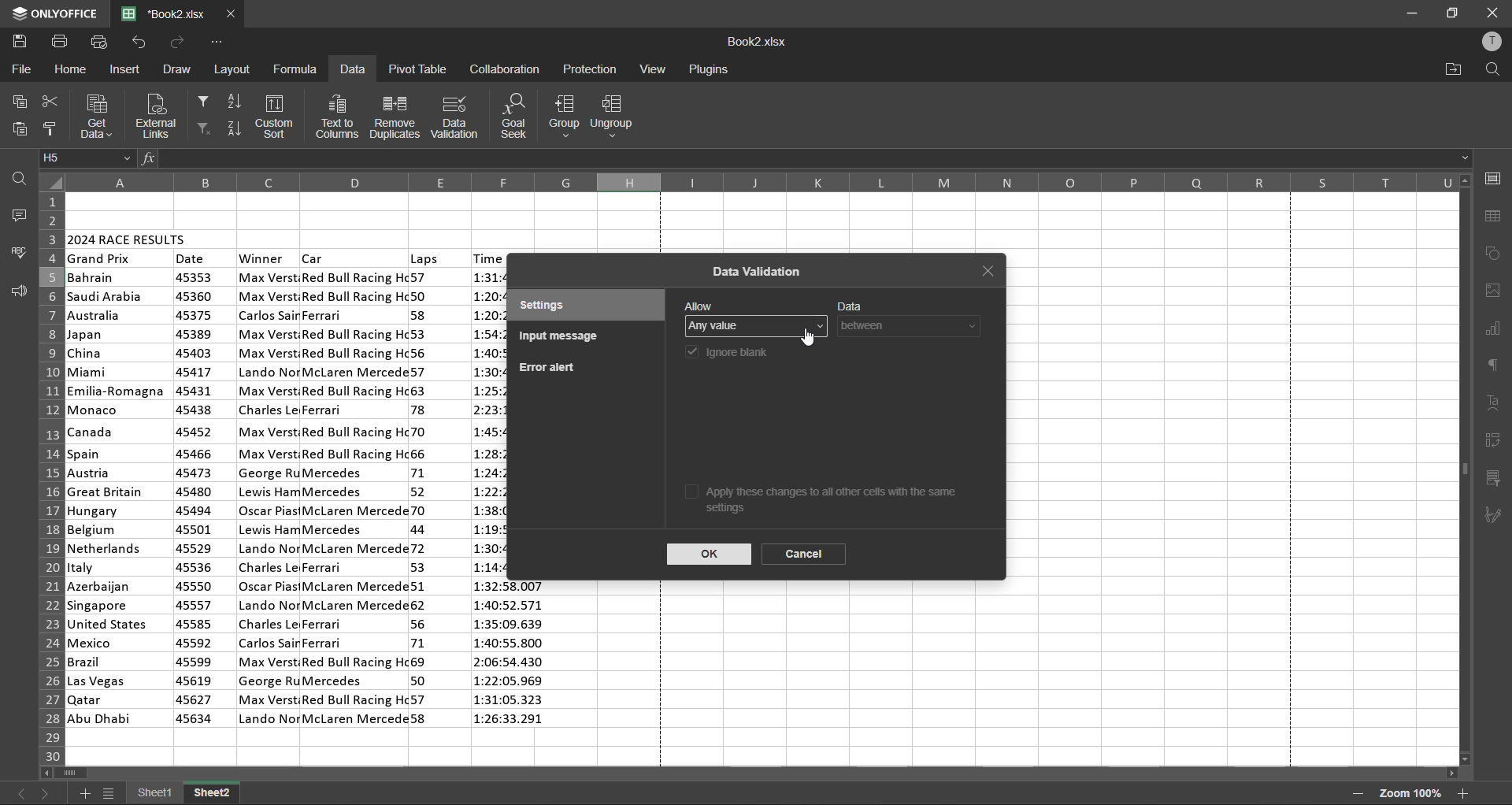 This screenshot has width=1512, height=805. Describe the element at coordinates (1463, 793) in the screenshot. I see `zoom in` at that location.